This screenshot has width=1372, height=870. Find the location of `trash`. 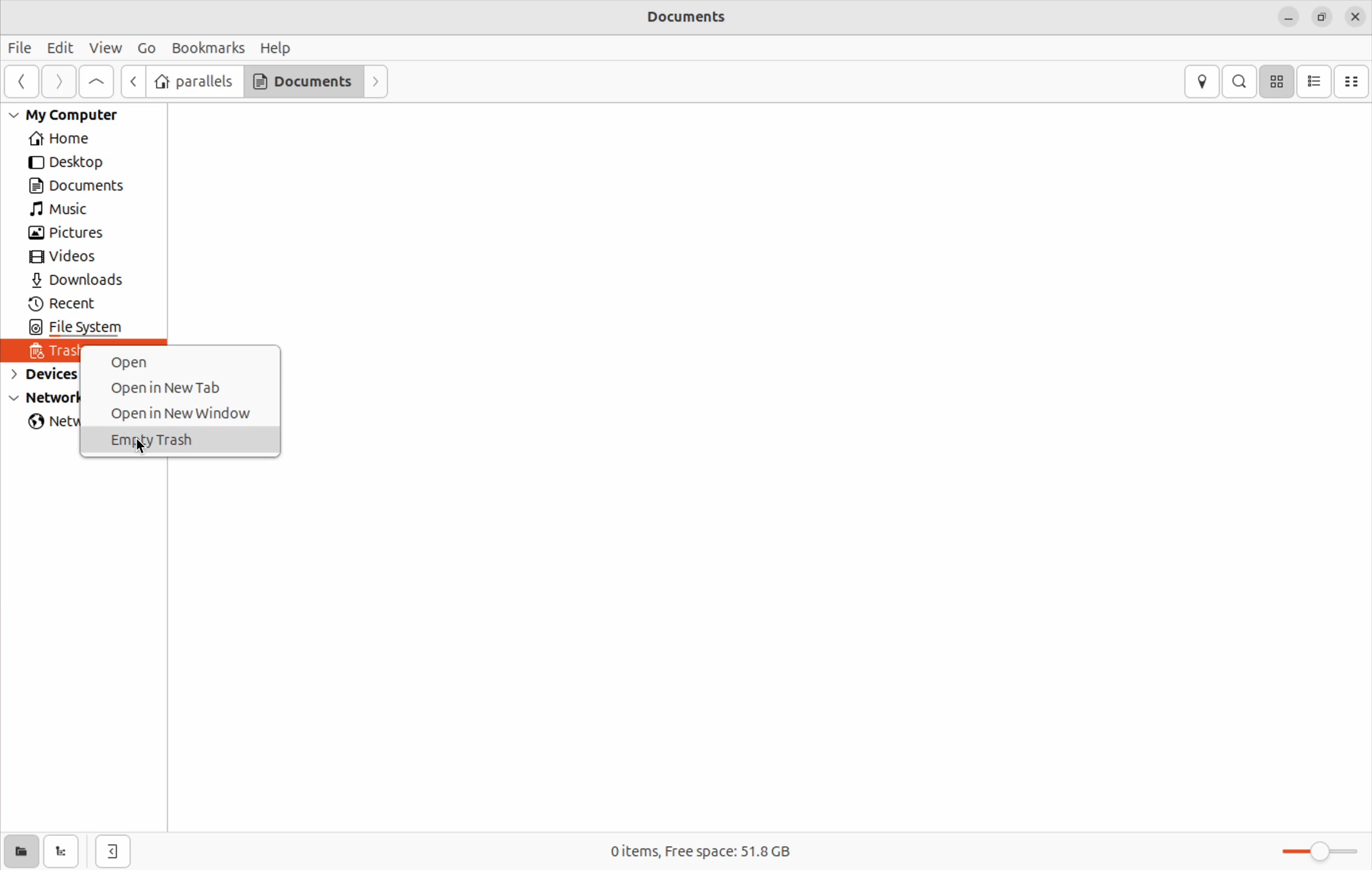

trash is located at coordinates (43, 349).